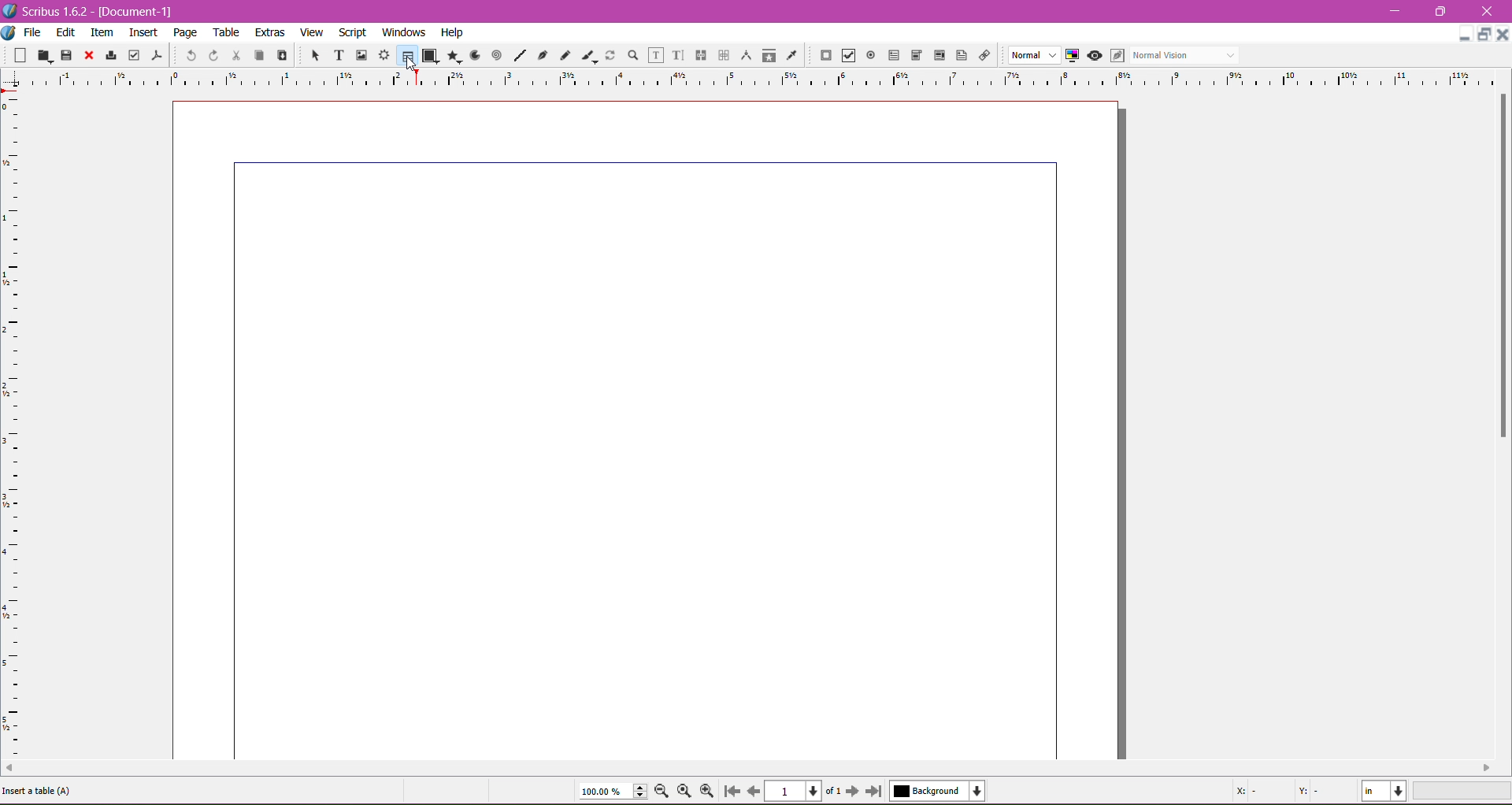  I want to click on New, so click(22, 54).